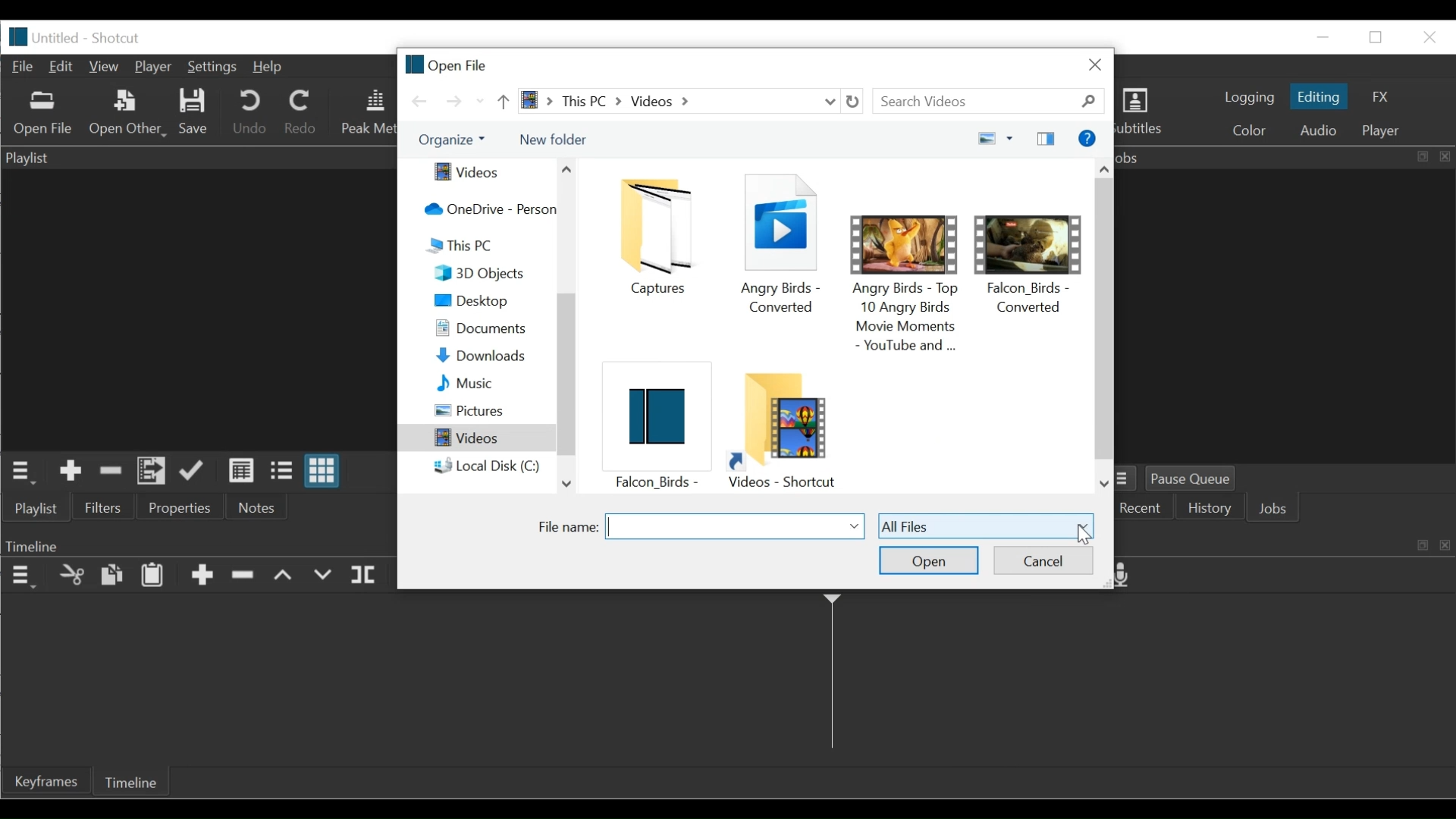 This screenshot has width=1456, height=819. Describe the element at coordinates (1105, 485) in the screenshot. I see `Scroll down` at that location.